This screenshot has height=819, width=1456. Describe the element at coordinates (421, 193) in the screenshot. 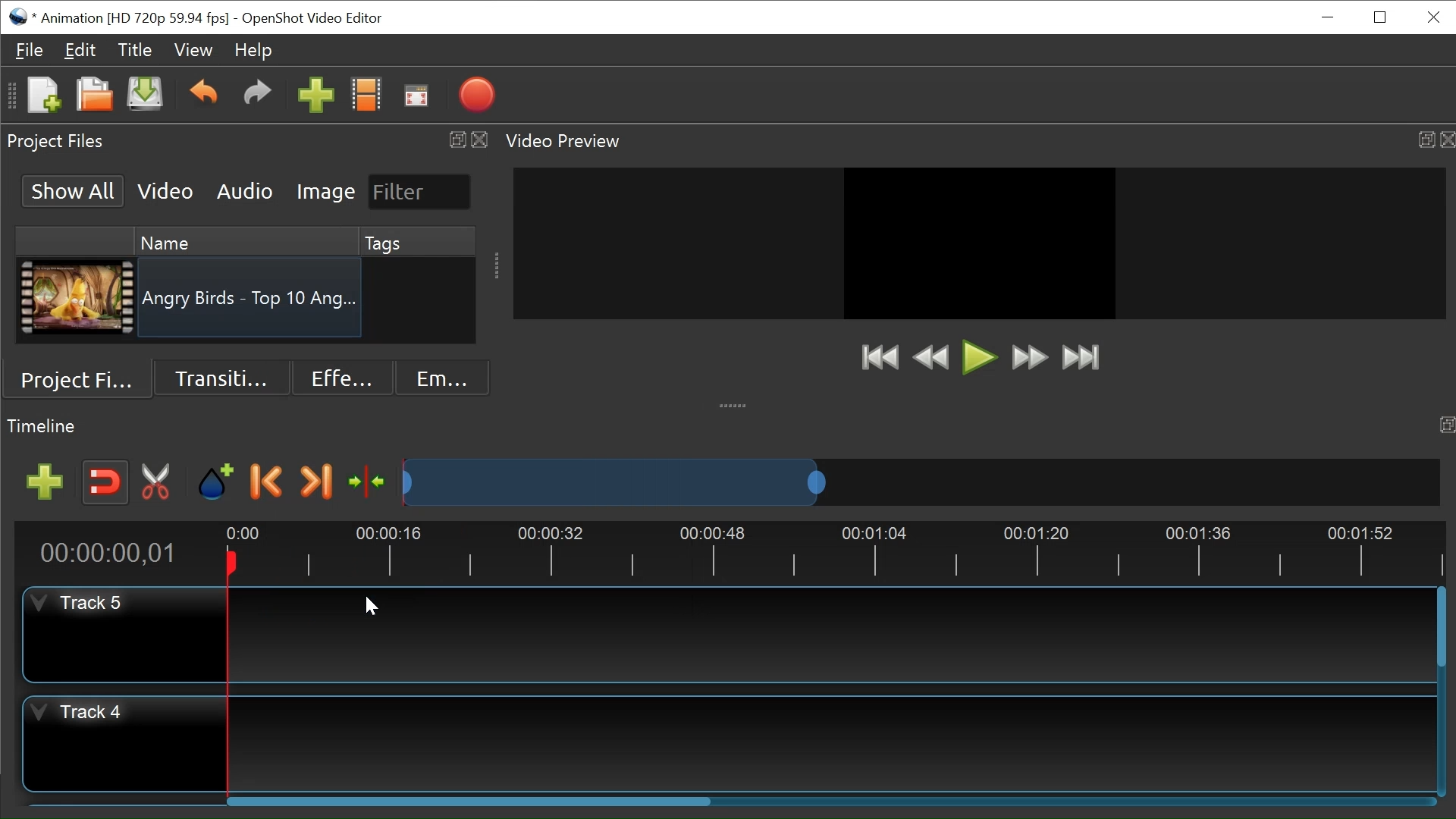

I see `Filter` at that location.